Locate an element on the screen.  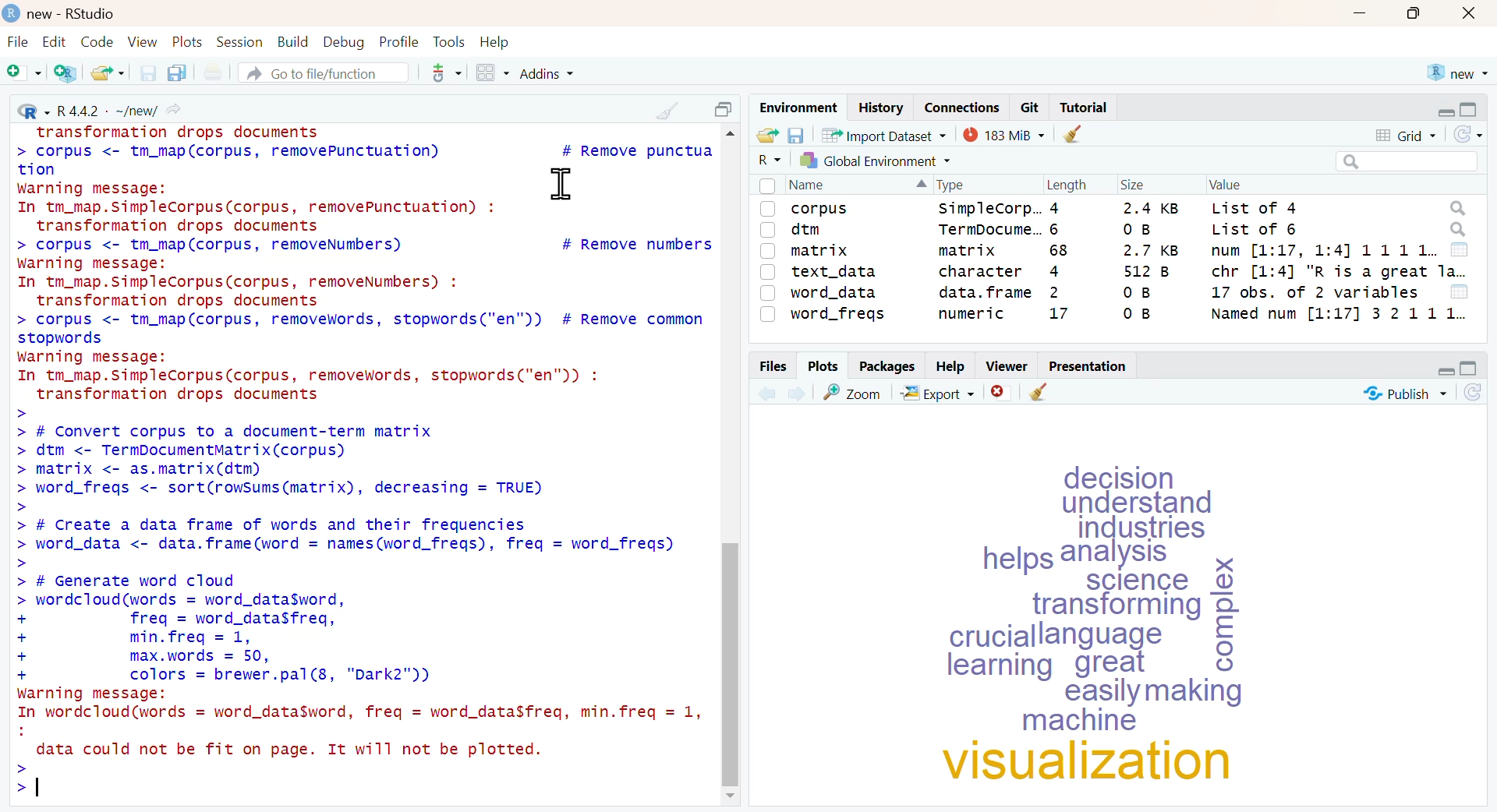
Workspace panes is located at coordinates (491, 73).